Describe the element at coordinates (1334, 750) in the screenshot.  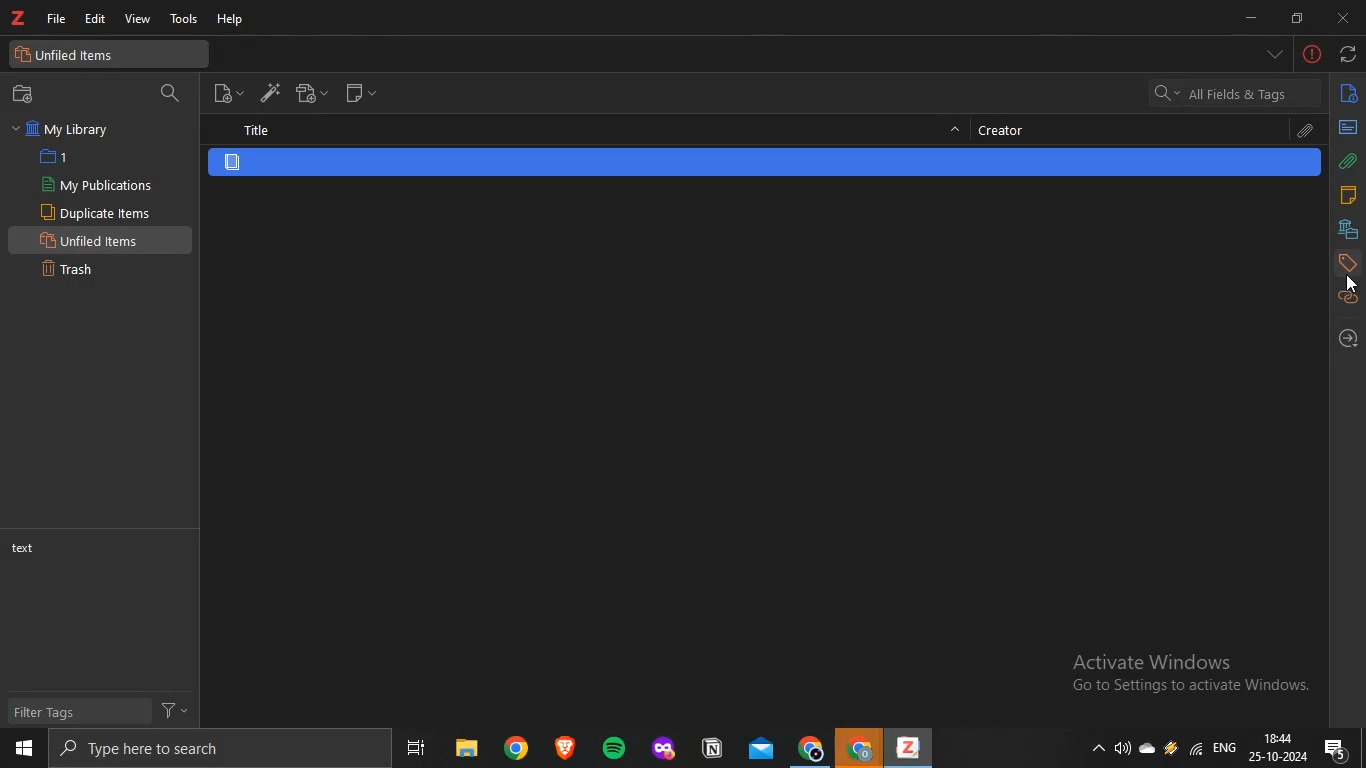
I see `notifications` at that location.